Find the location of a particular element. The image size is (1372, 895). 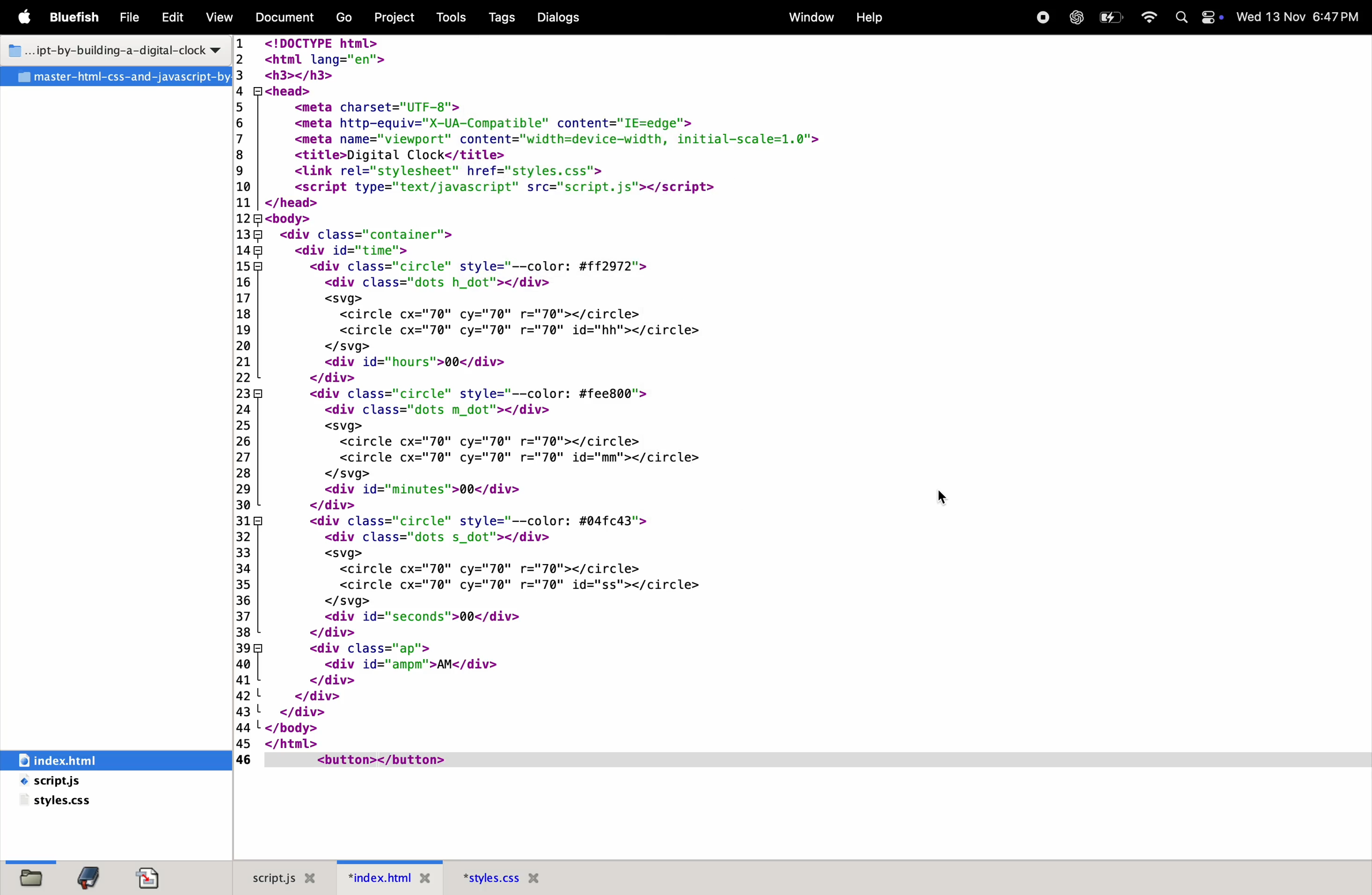

script.js is located at coordinates (269, 877).